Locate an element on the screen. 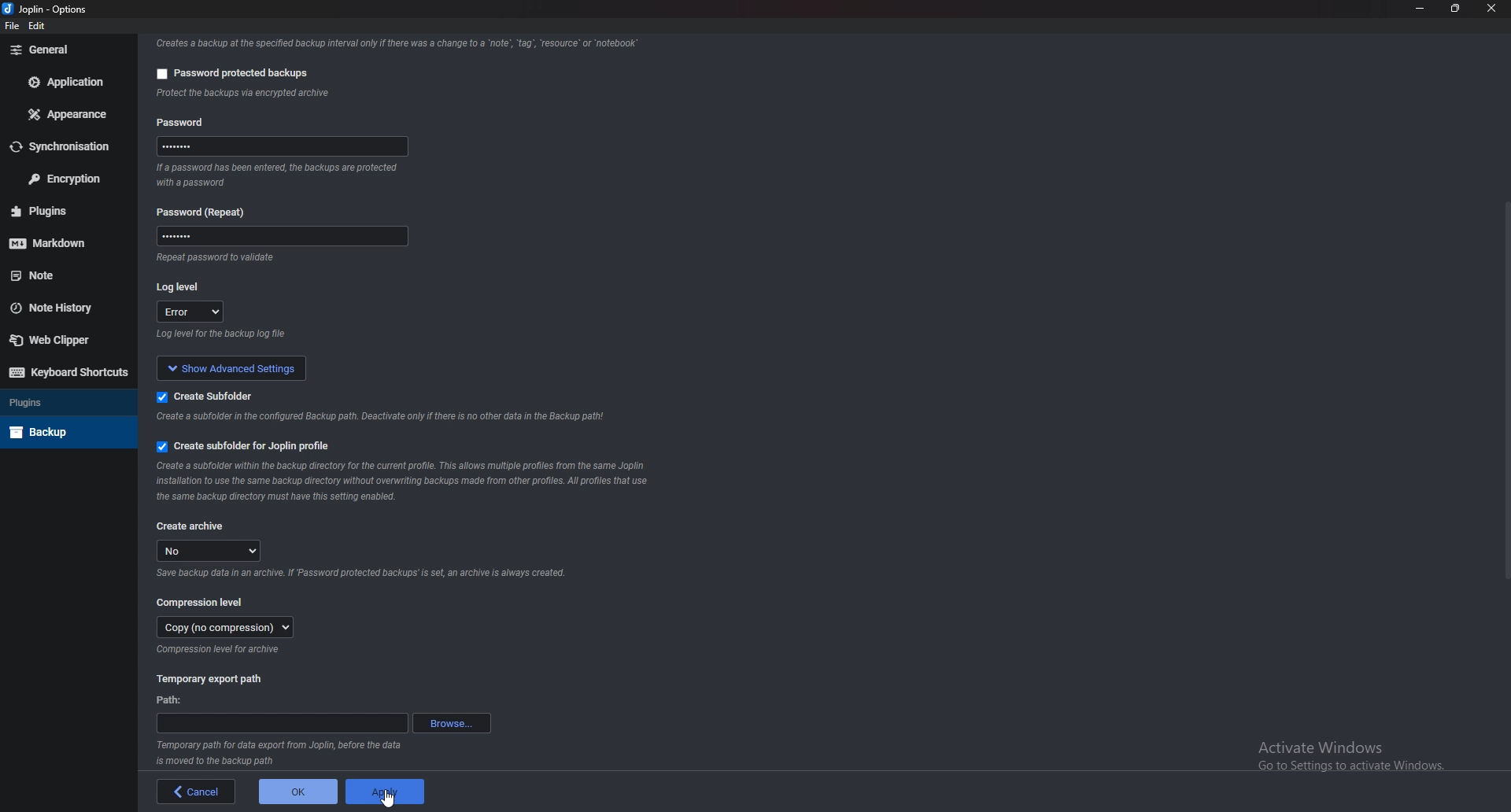 The image size is (1511, 812). Note history is located at coordinates (65, 308).